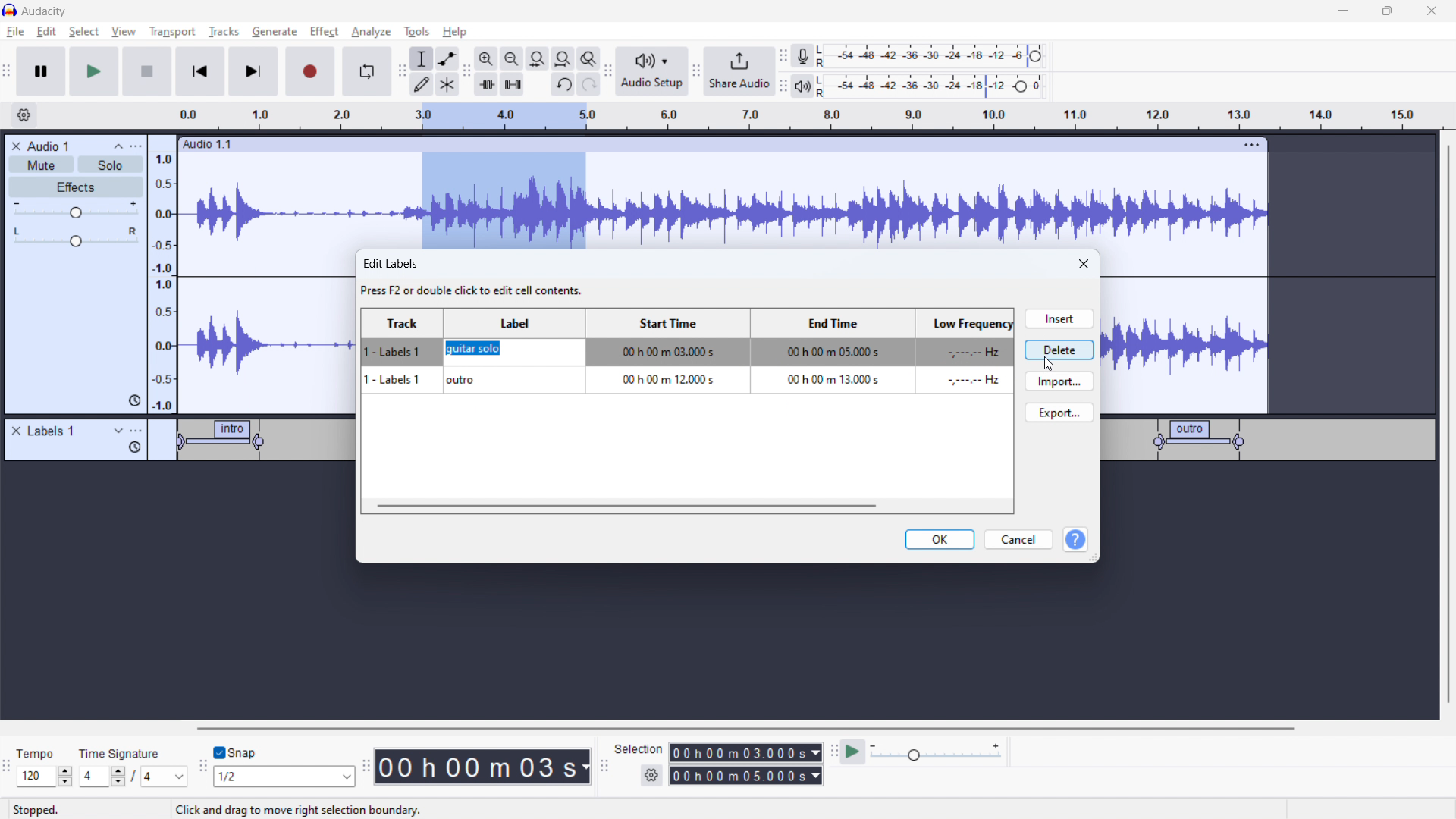 The image size is (1456, 819). I want to click on menu, so click(137, 146).